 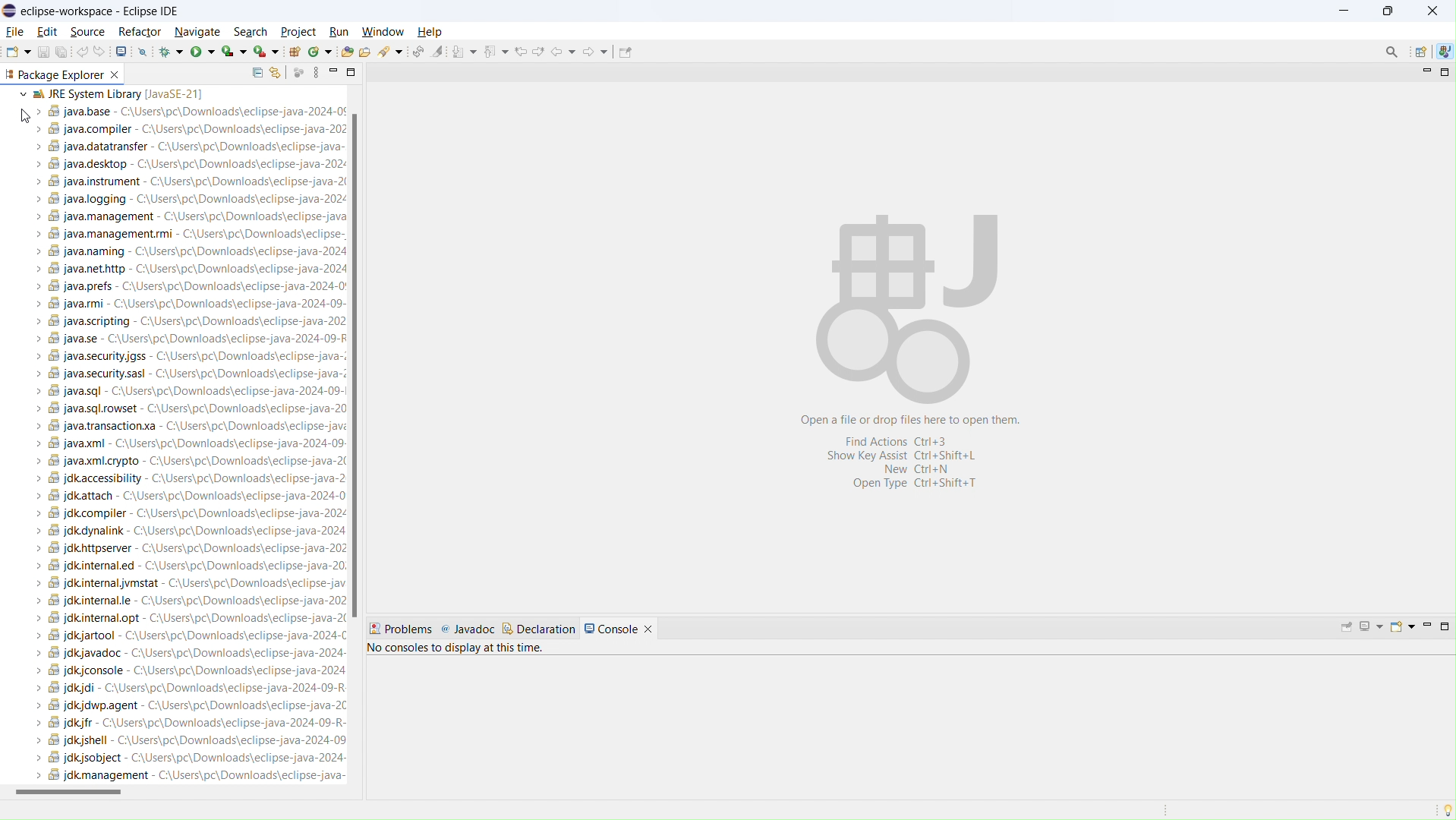 I want to click on debug, so click(x=169, y=53).